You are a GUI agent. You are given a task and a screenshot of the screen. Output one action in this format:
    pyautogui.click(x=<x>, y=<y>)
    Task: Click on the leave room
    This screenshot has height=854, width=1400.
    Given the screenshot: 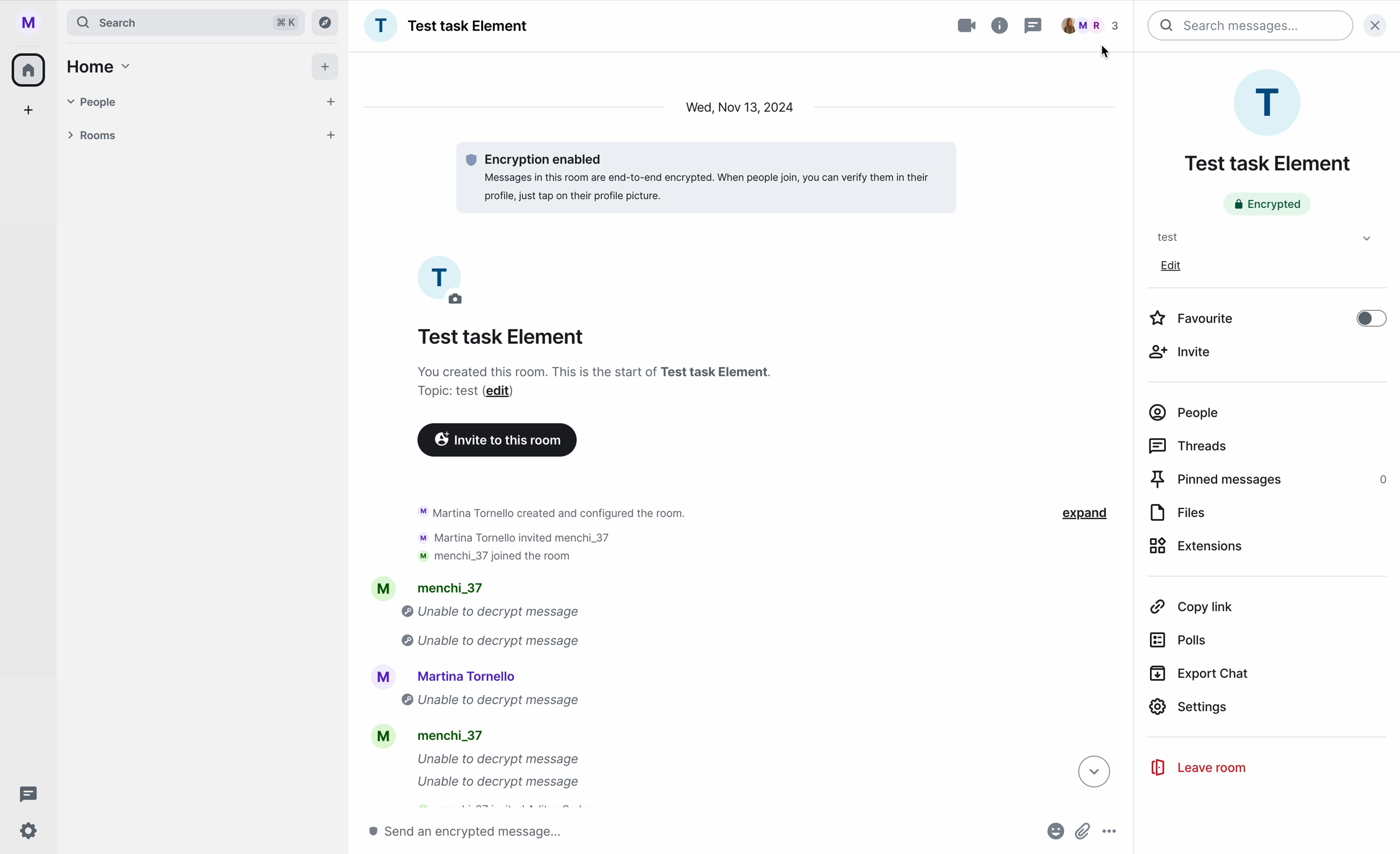 What is the action you would take?
    pyautogui.click(x=1197, y=768)
    